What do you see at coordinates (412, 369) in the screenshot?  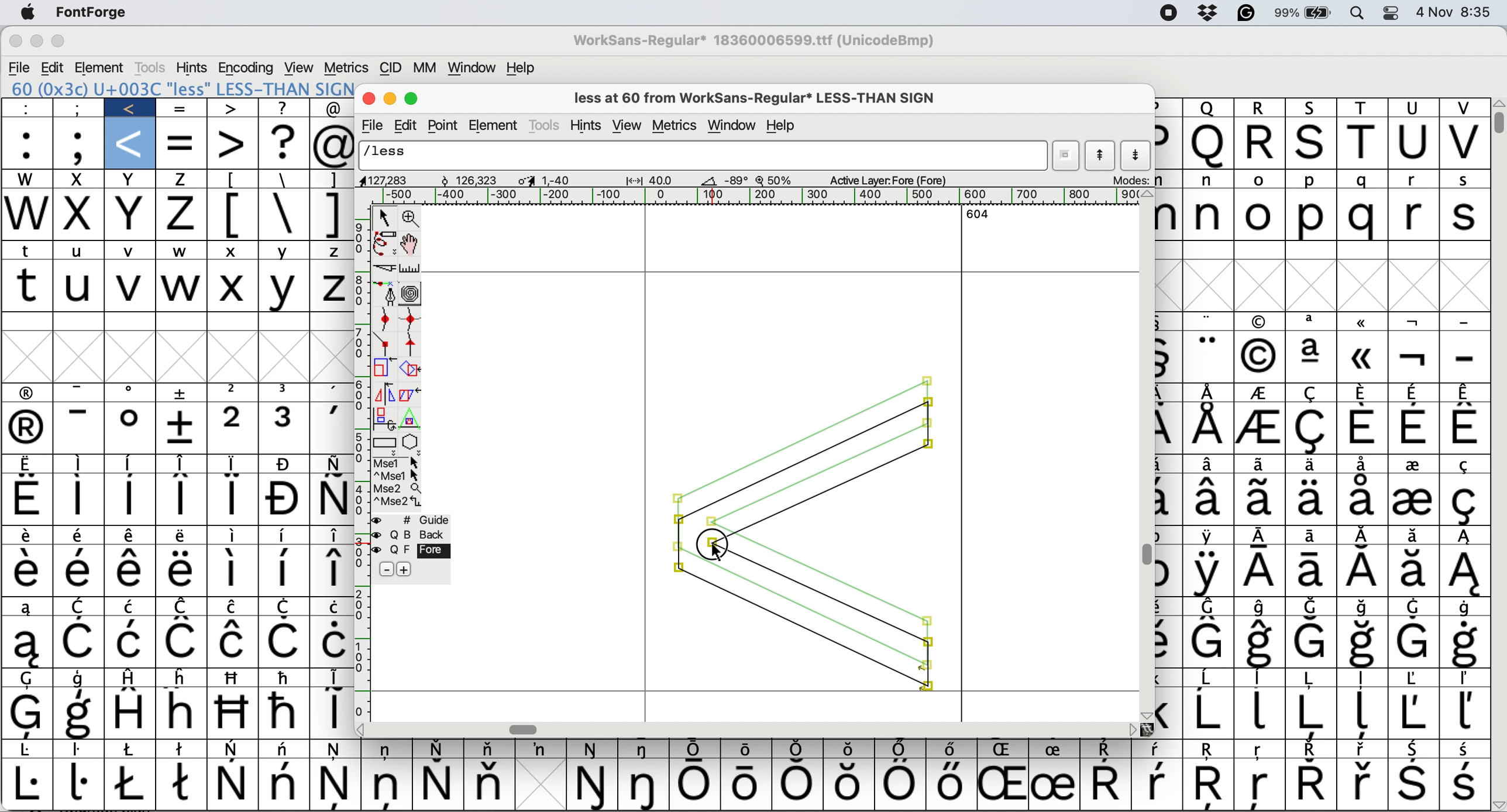 I see `rotate the selection` at bounding box center [412, 369].